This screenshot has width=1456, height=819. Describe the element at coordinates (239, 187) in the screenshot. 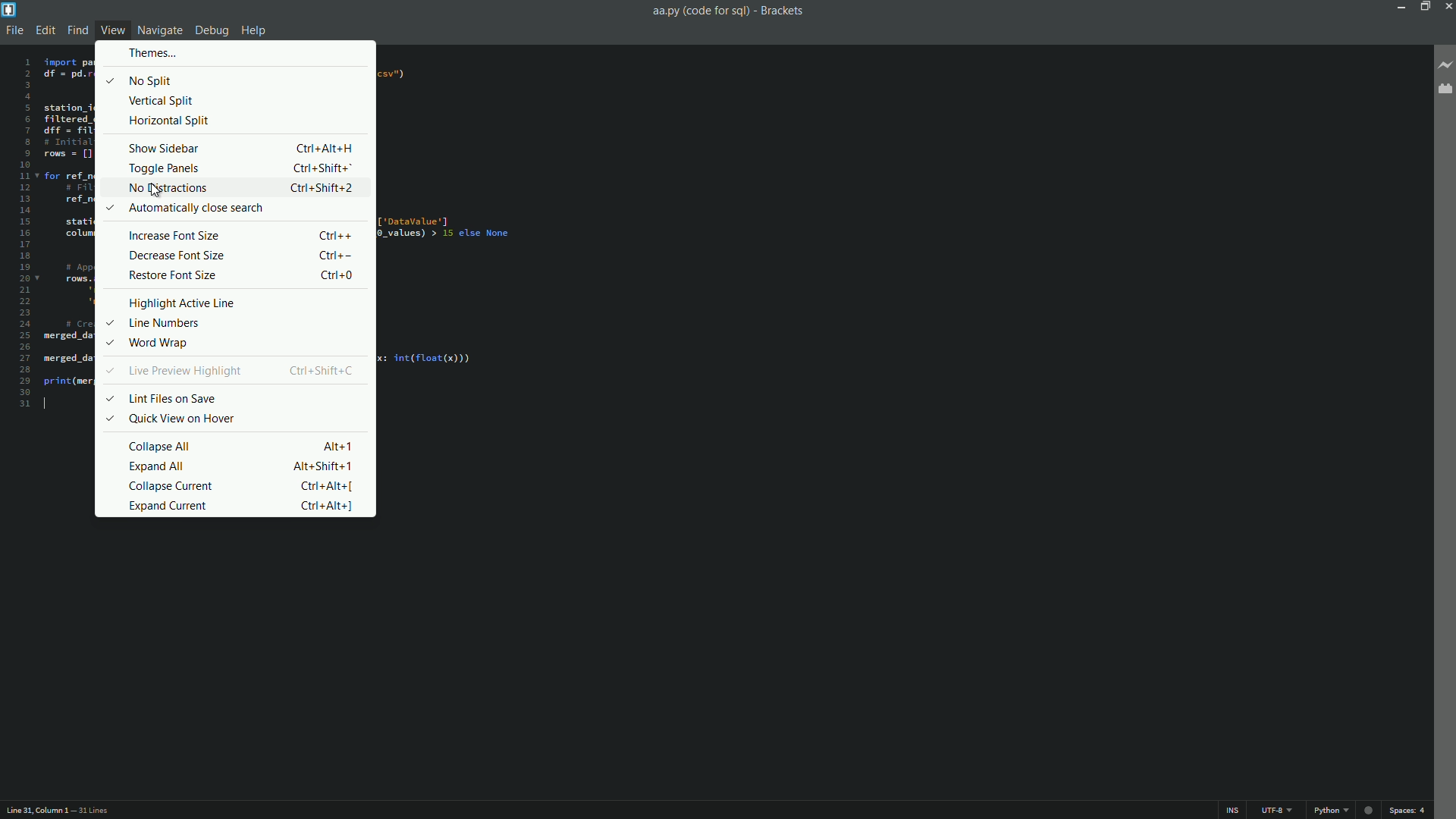

I see `no distractions Ctrl + Shift + 2` at that location.